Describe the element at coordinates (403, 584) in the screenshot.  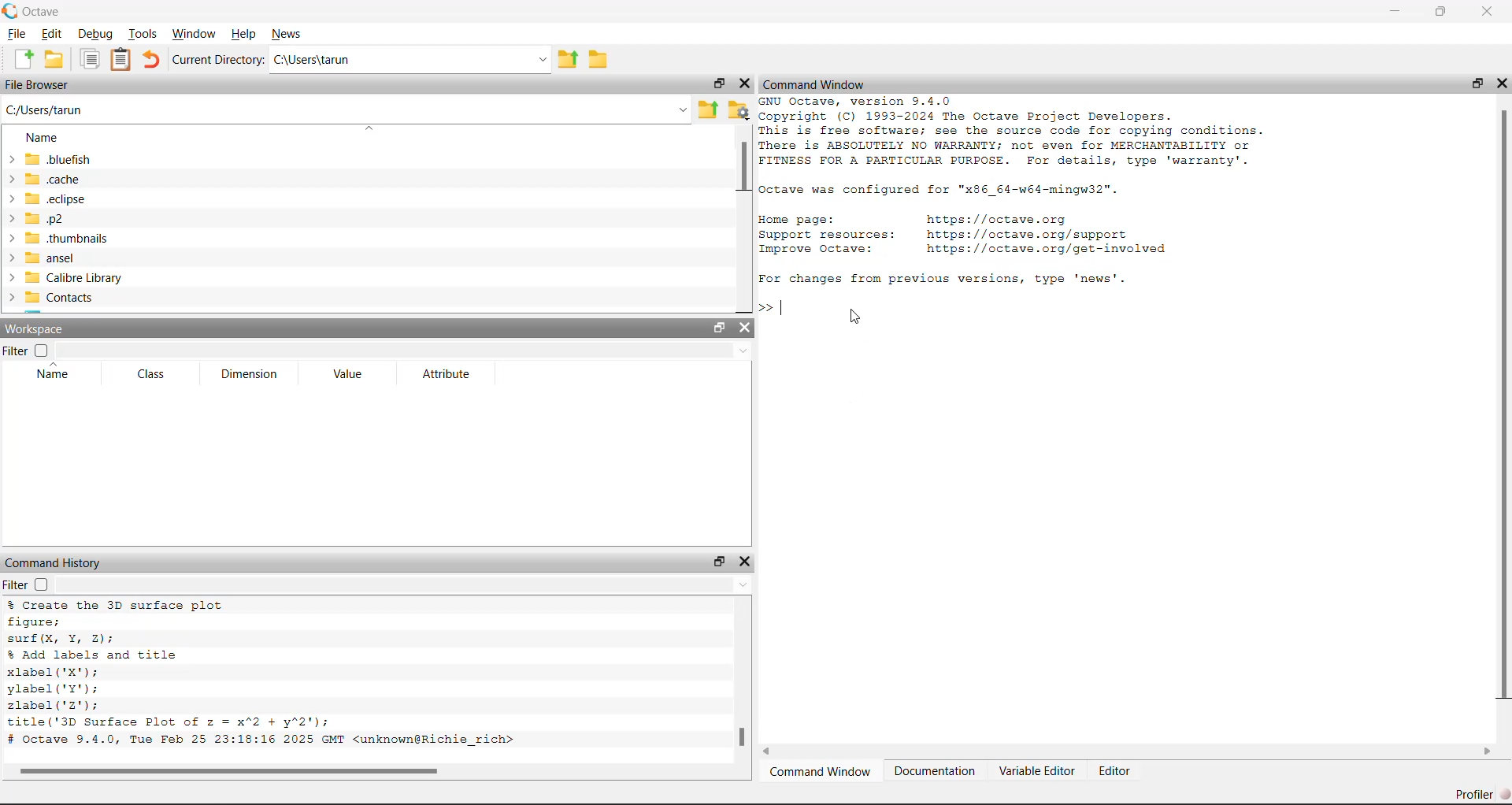
I see `Dropdown` at that location.